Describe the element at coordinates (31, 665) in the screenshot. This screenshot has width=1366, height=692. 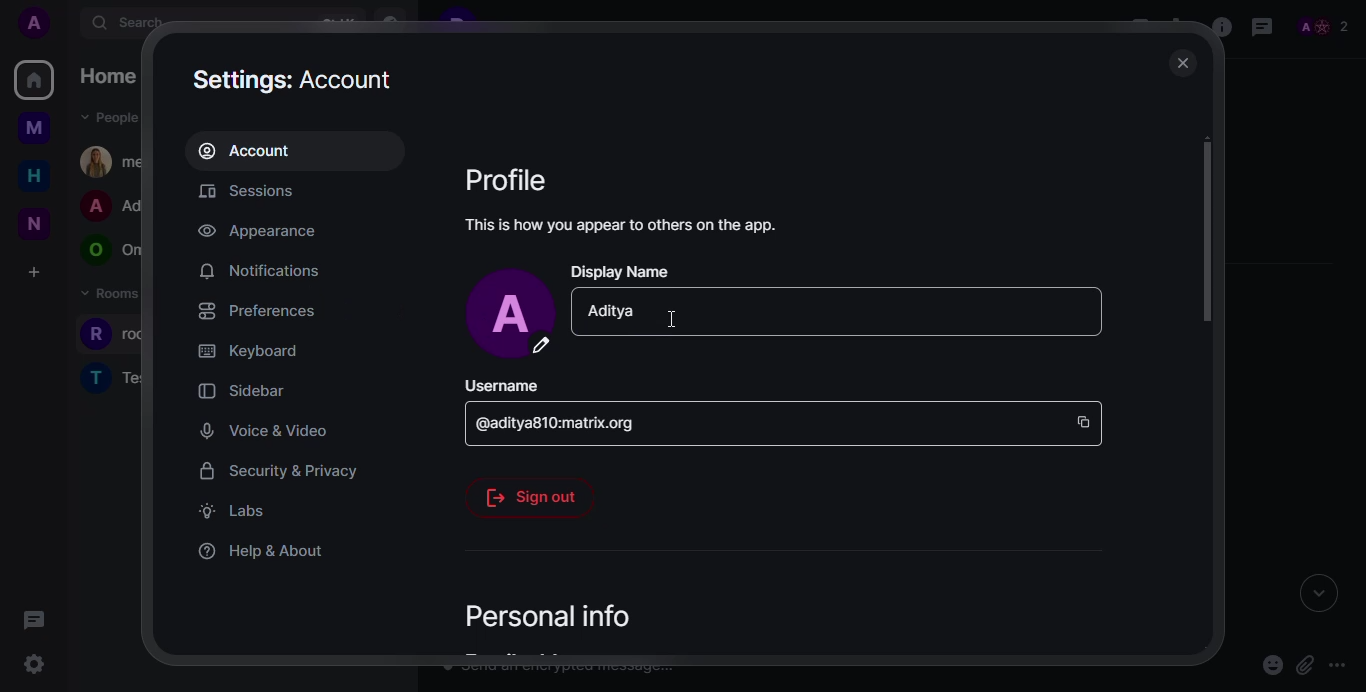
I see `quick settings` at that location.